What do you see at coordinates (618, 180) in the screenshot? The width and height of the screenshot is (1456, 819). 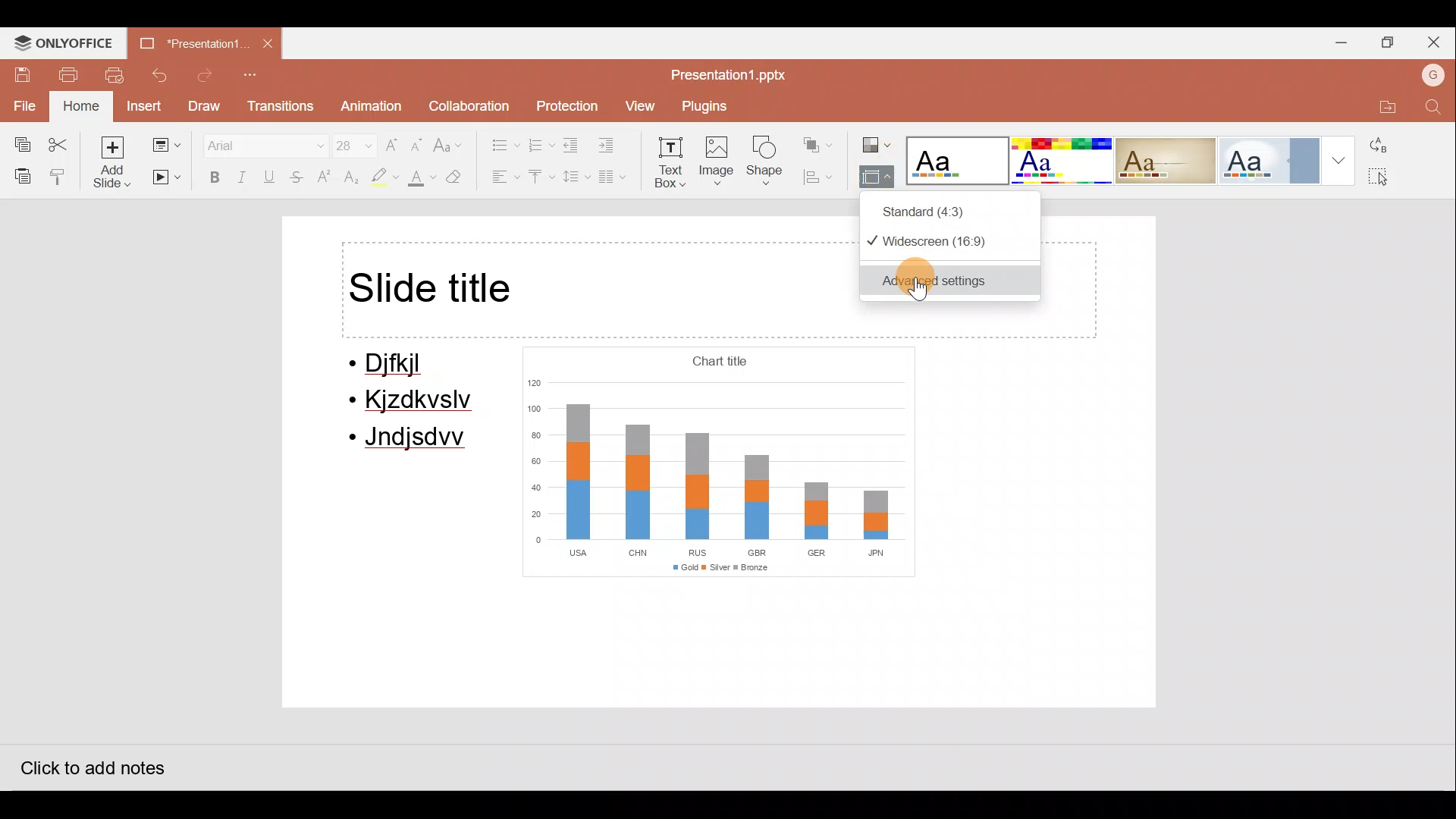 I see `Columns` at bounding box center [618, 180].